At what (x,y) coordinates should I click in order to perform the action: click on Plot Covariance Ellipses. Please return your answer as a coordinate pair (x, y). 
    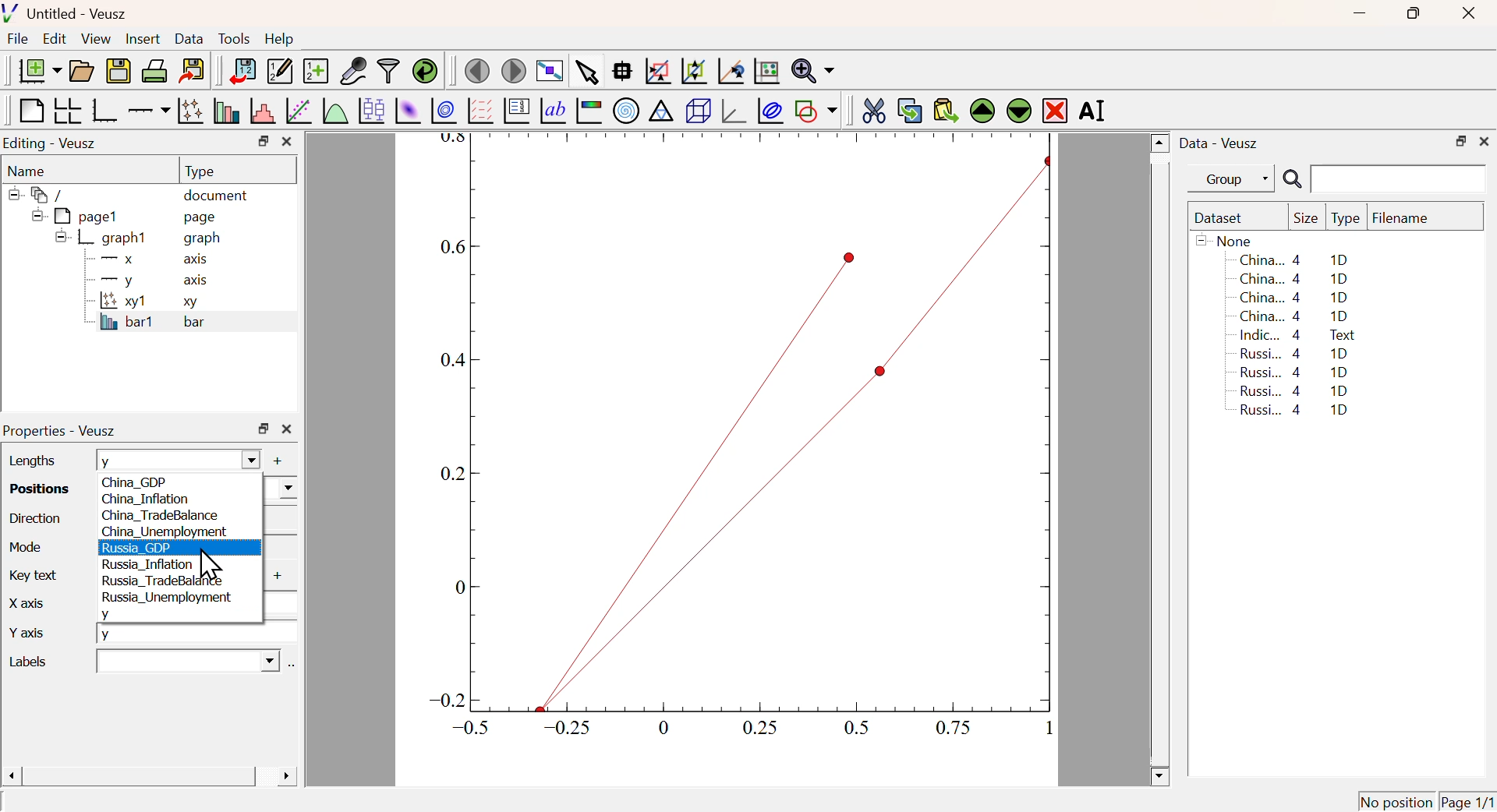
    Looking at the image, I should click on (770, 112).